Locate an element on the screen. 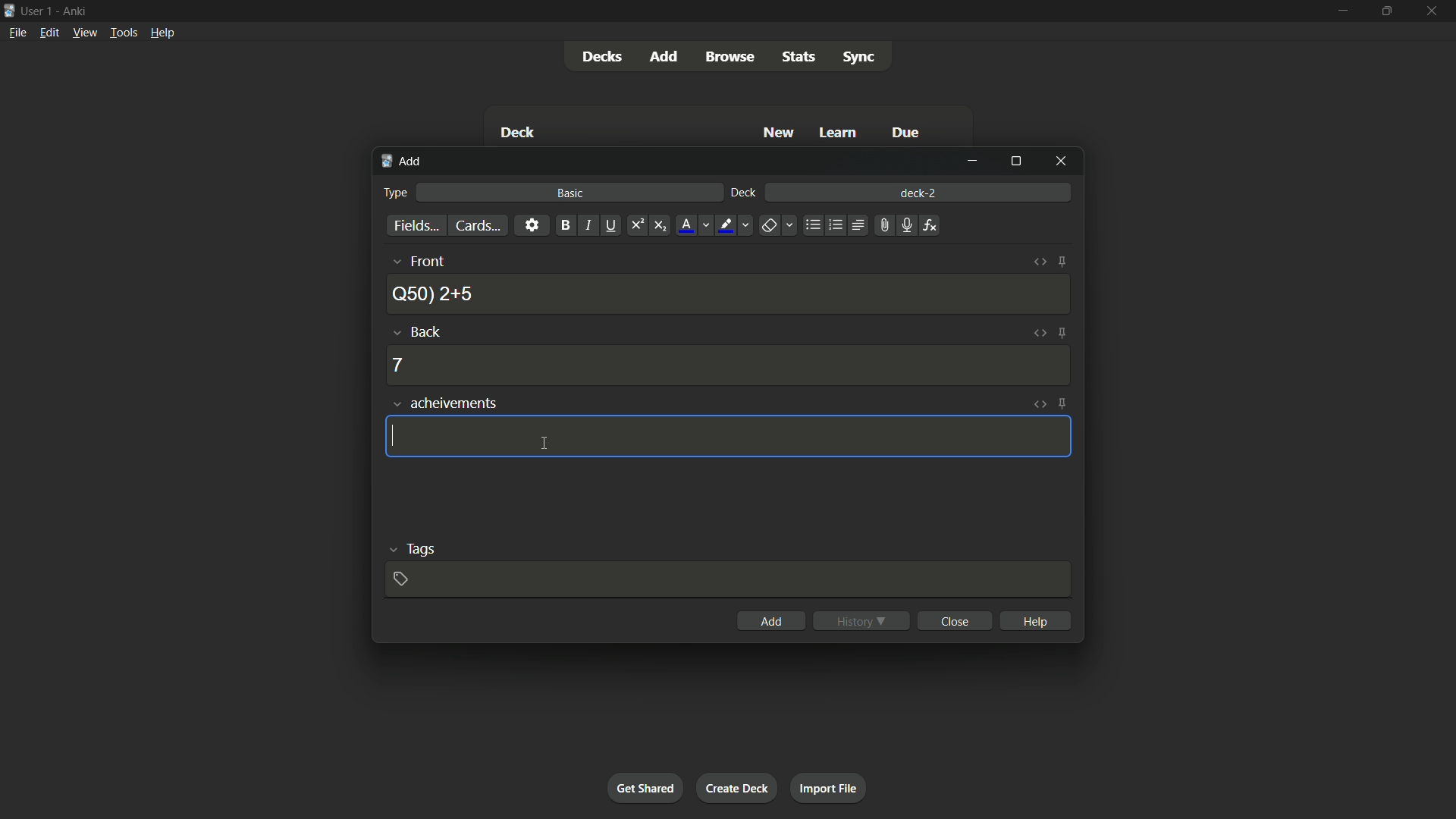 The image size is (1456, 819). minimize is located at coordinates (1341, 12).